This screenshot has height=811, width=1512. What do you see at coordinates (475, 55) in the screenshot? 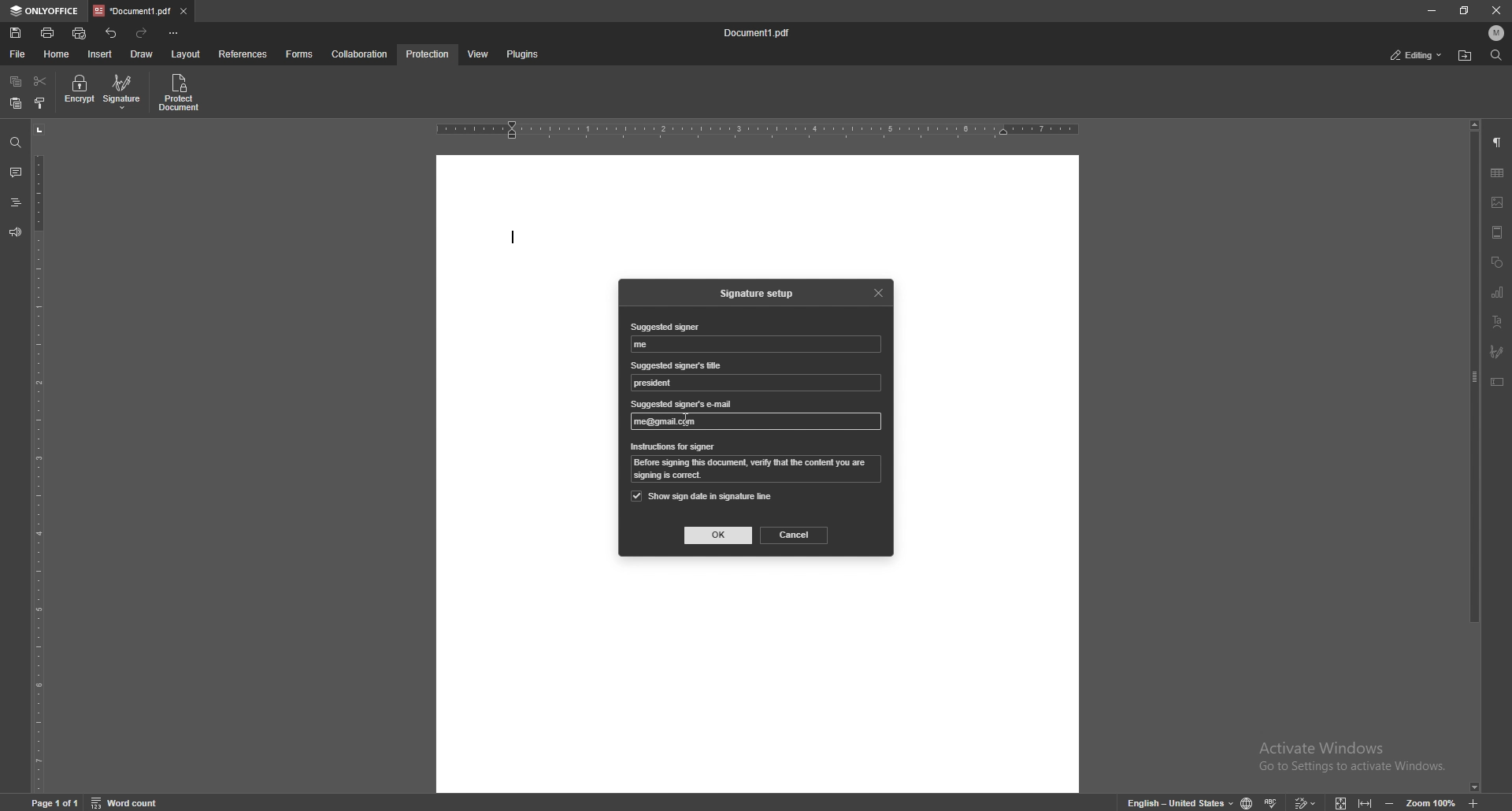
I see `view` at bounding box center [475, 55].